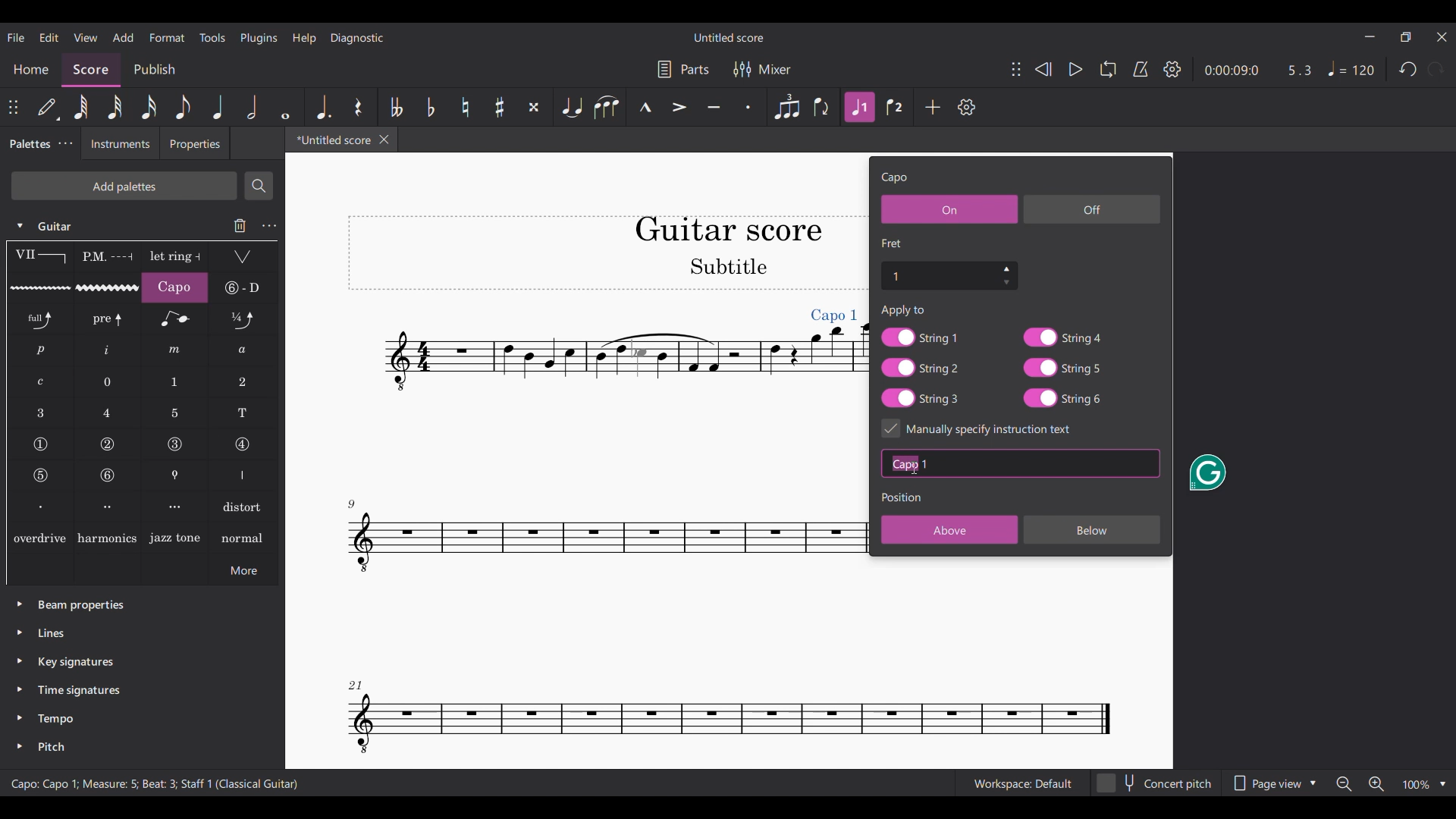 The height and width of the screenshot is (819, 1456). What do you see at coordinates (904, 310) in the screenshot?
I see `Text` at bounding box center [904, 310].